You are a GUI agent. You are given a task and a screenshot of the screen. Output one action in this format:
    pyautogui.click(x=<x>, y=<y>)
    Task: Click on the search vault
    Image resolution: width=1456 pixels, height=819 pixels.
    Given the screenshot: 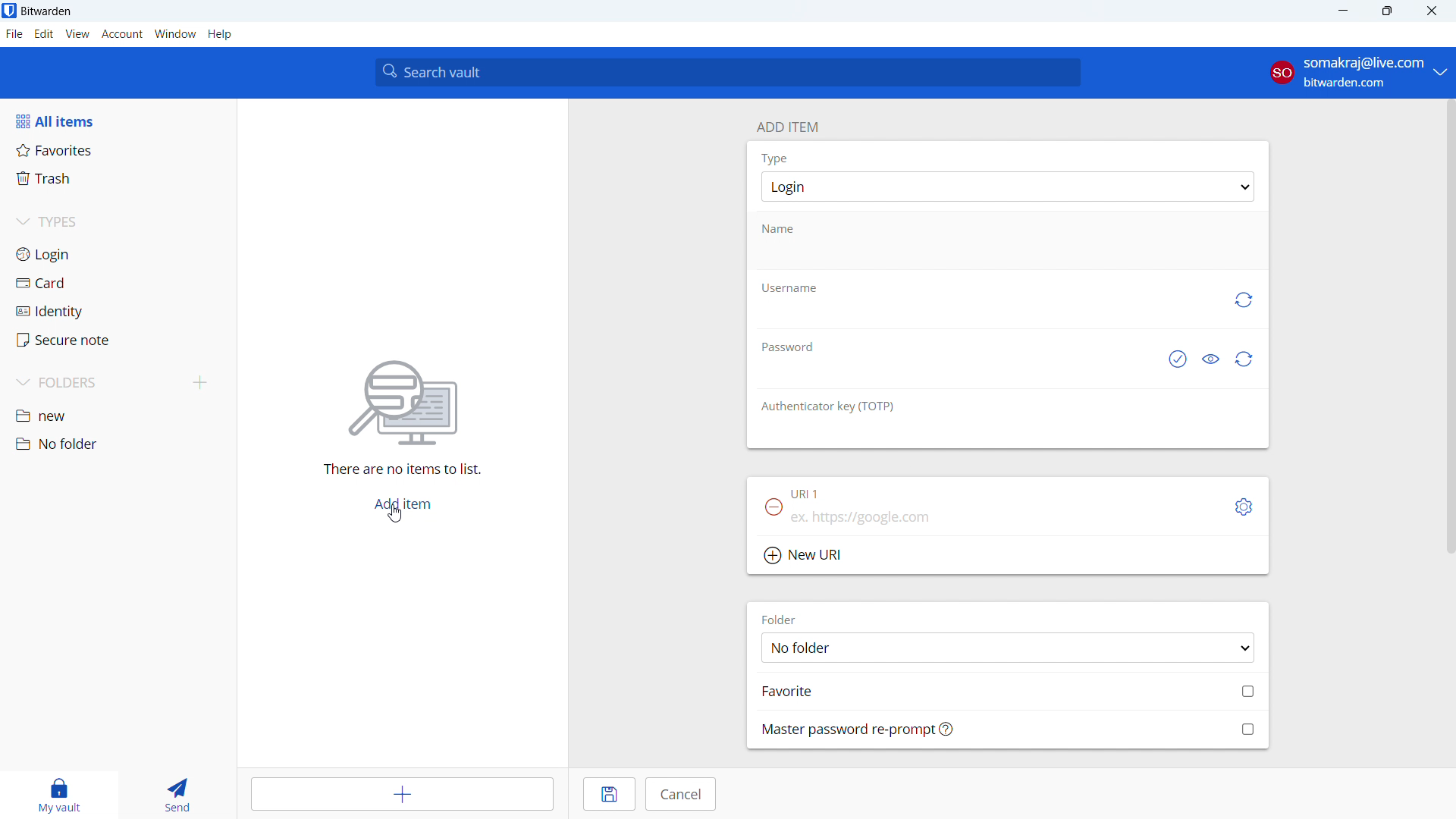 What is the action you would take?
    pyautogui.click(x=727, y=72)
    